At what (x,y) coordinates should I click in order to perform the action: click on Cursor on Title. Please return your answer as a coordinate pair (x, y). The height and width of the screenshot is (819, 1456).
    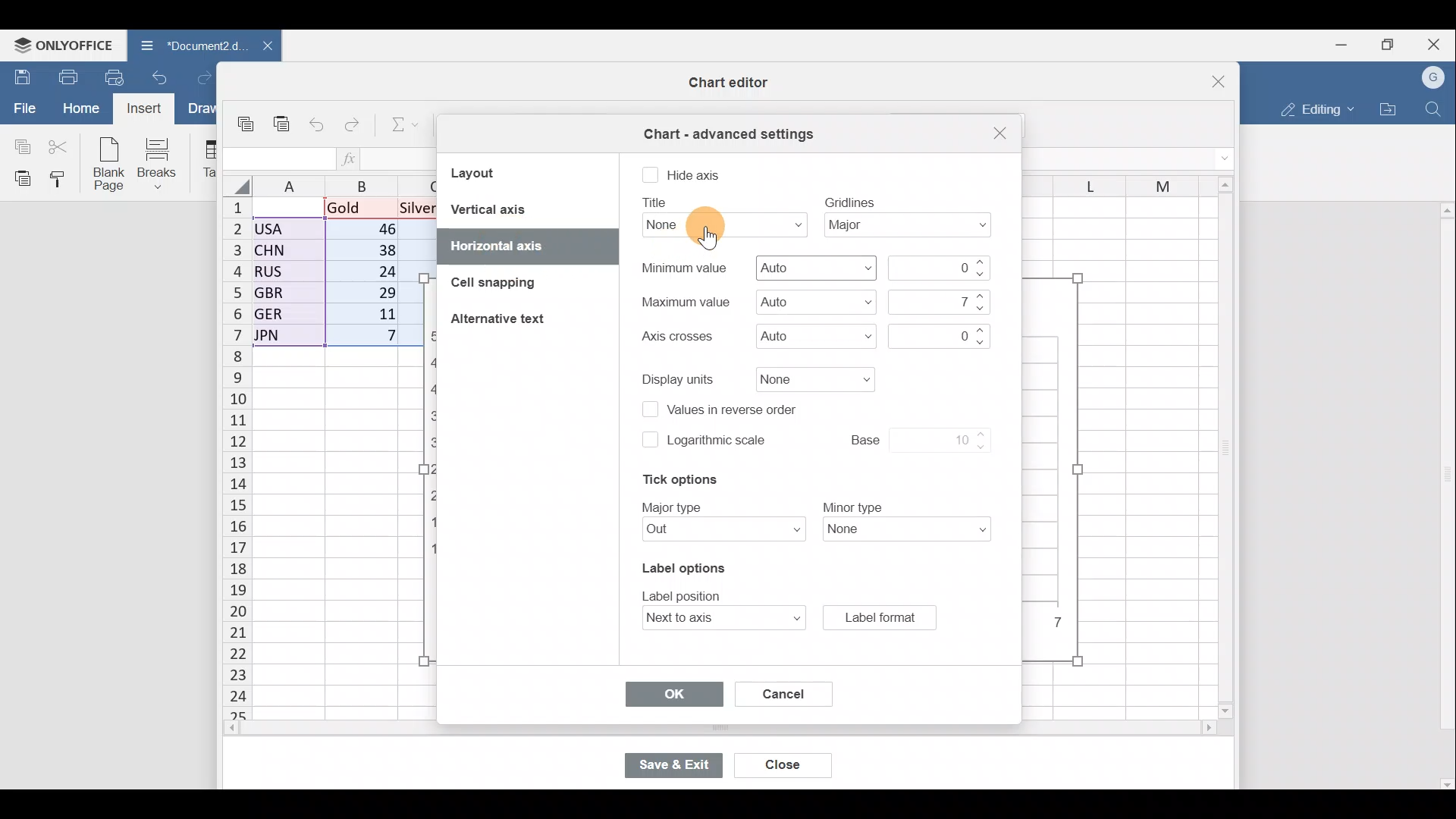
    Looking at the image, I should click on (717, 227).